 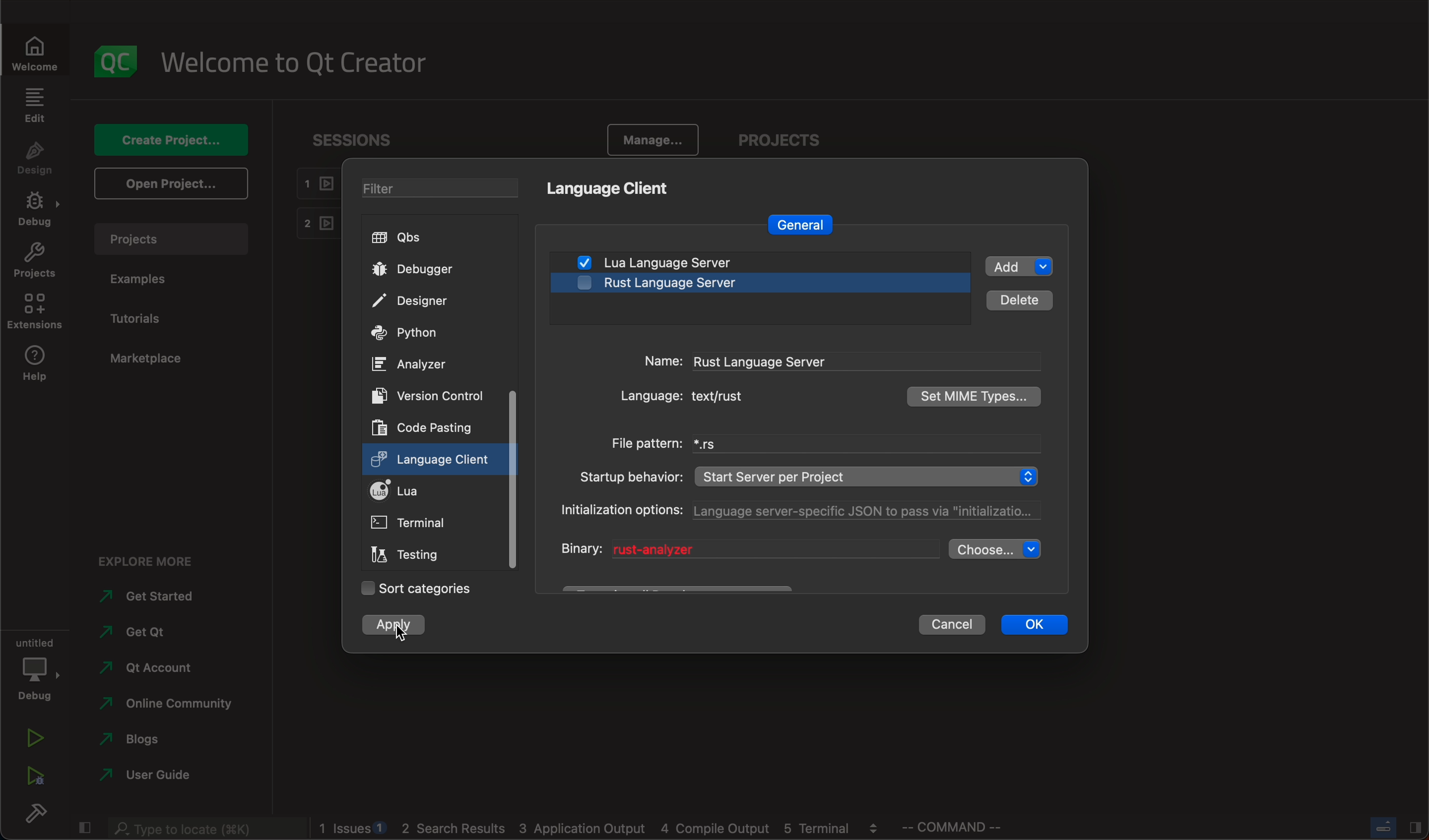 What do you see at coordinates (36, 104) in the screenshot?
I see `edit` at bounding box center [36, 104].